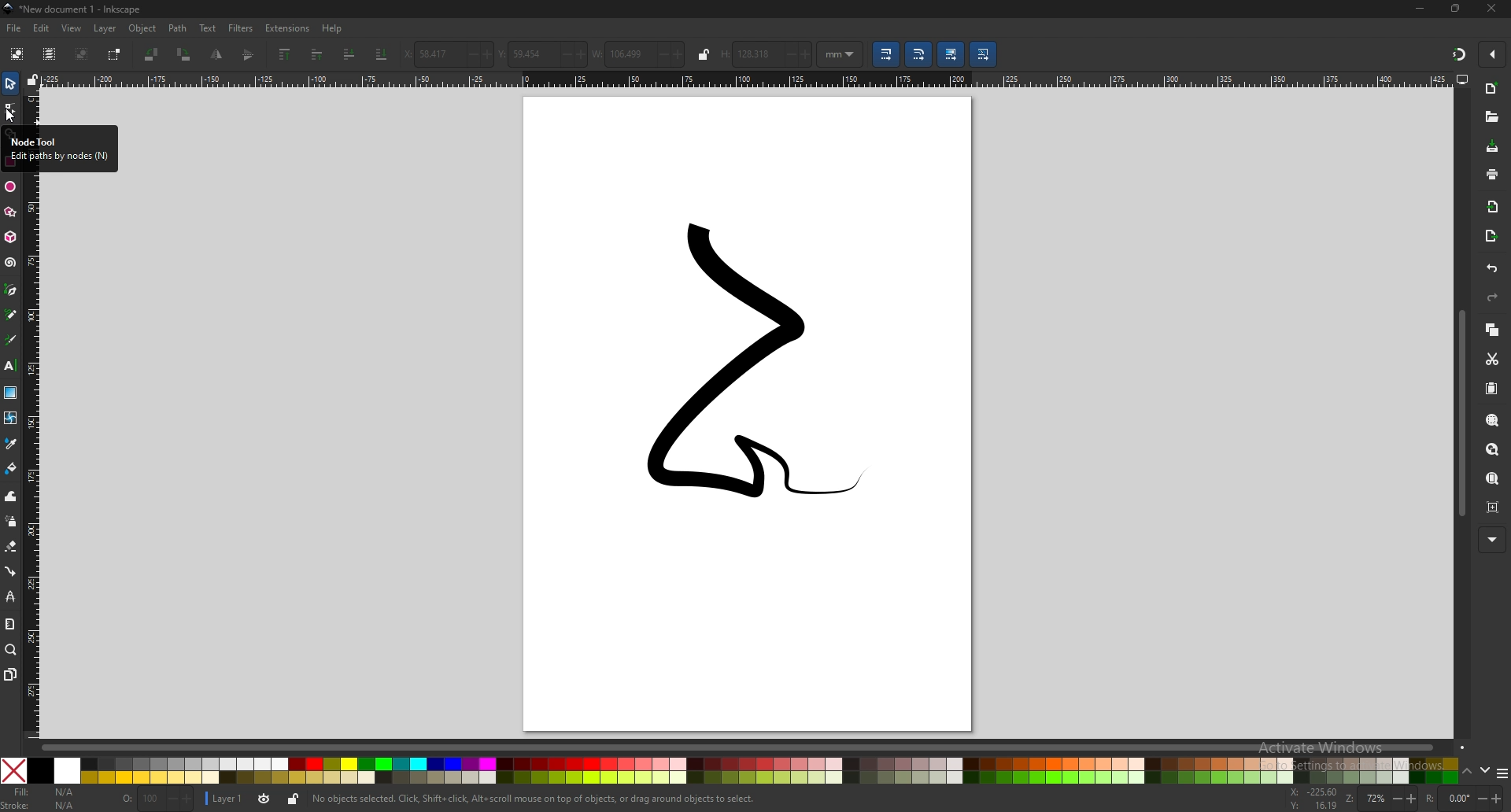 This screenshot has height=812, width=1511. What do you see at coordinates (1493, 331) in the screenshot?
I see `copy` at bounding box center [1493, 331].